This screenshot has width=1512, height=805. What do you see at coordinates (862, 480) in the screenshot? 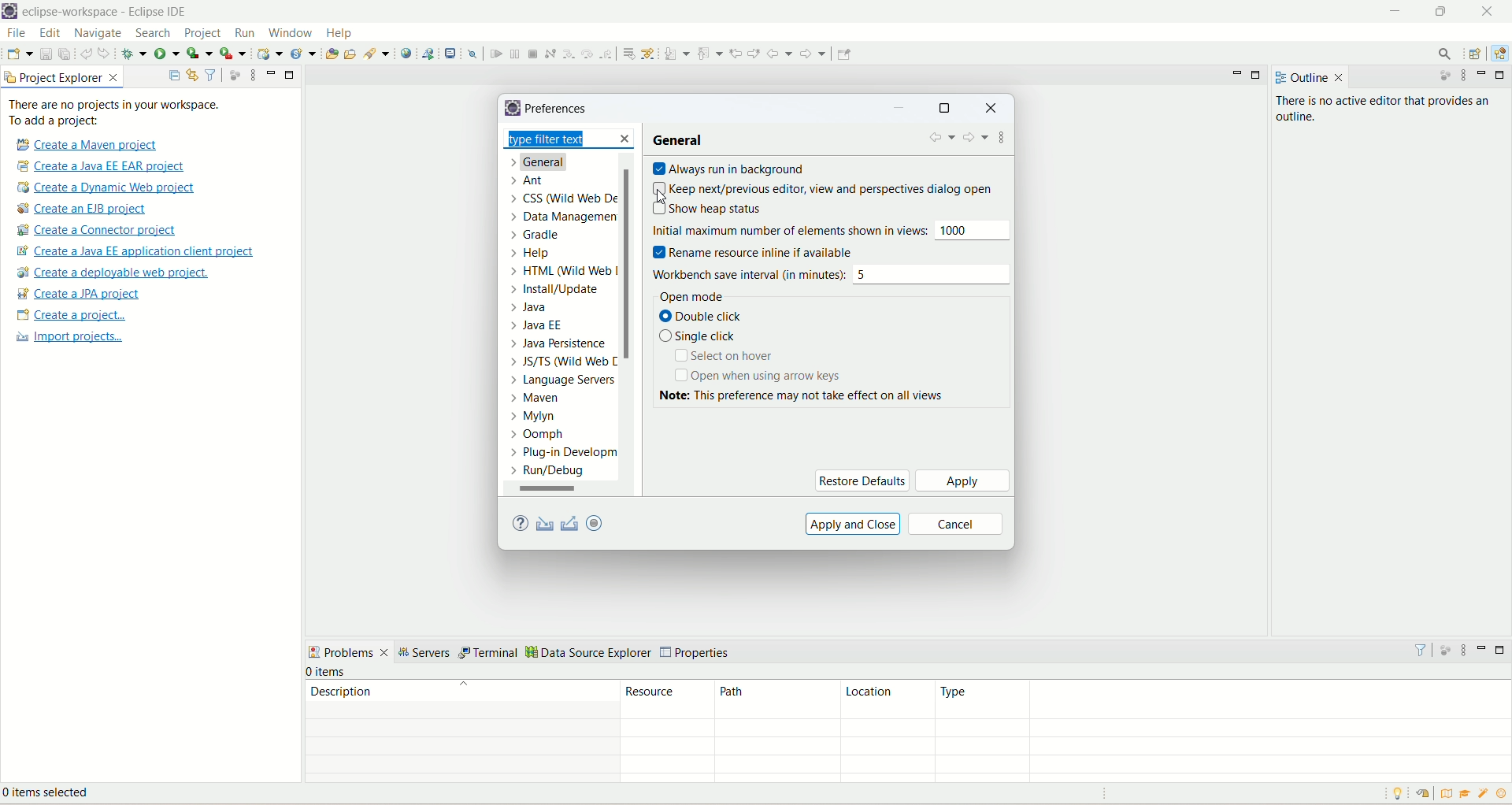
I see `restore defaults` at bounding box center [862, 480].